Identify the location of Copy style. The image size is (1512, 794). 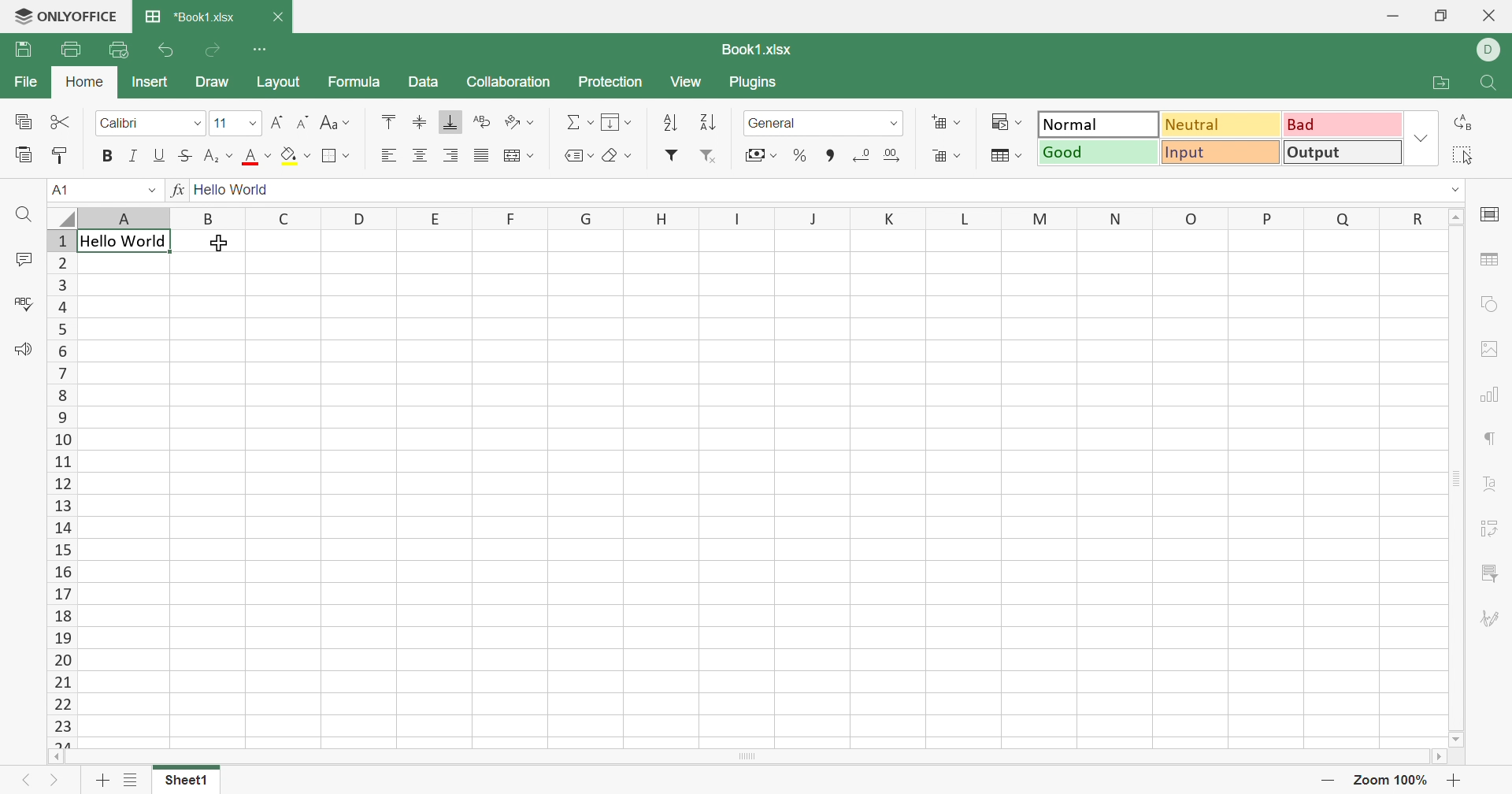
(61, 158).